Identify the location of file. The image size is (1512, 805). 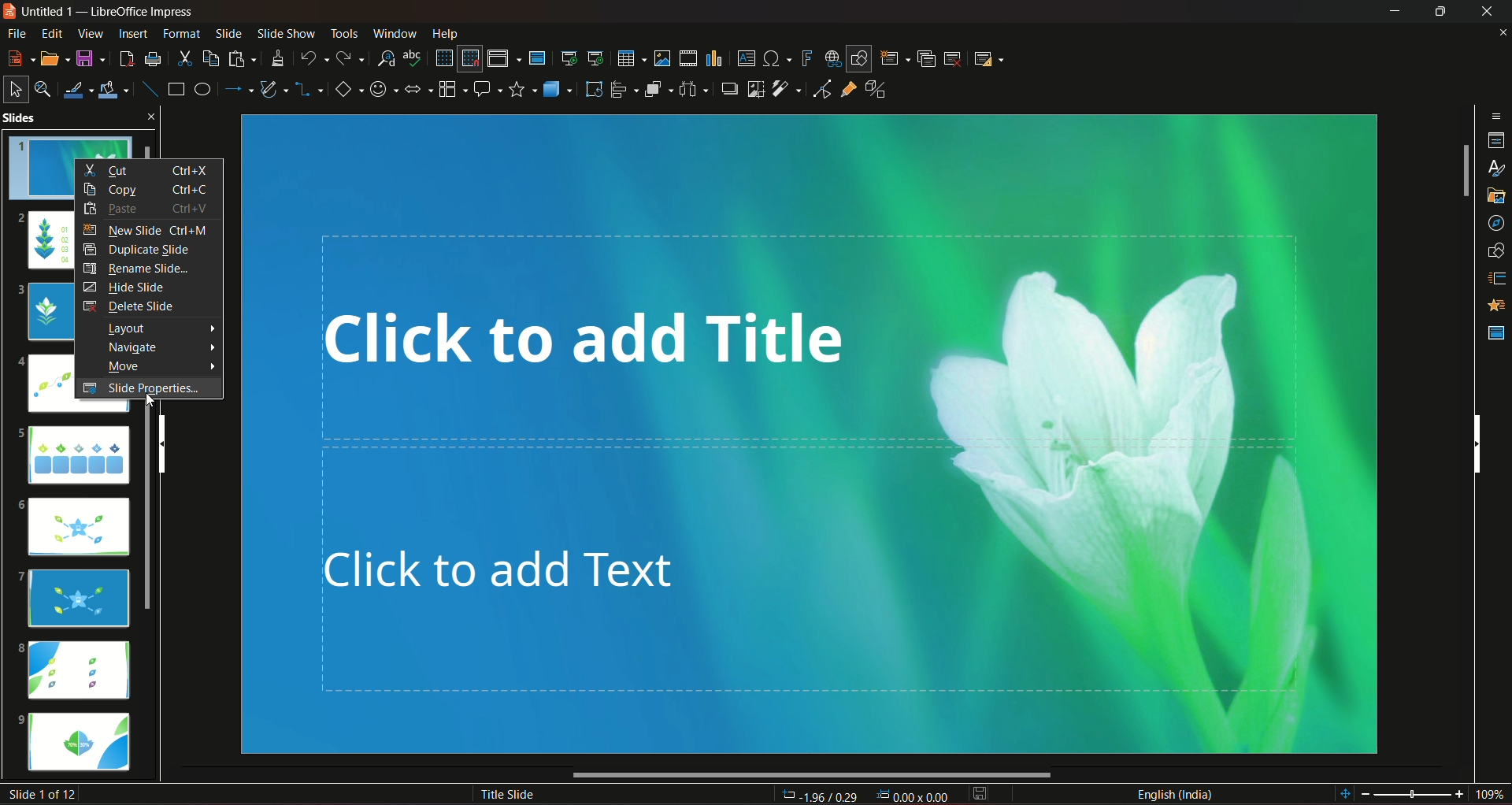
(18, 33).